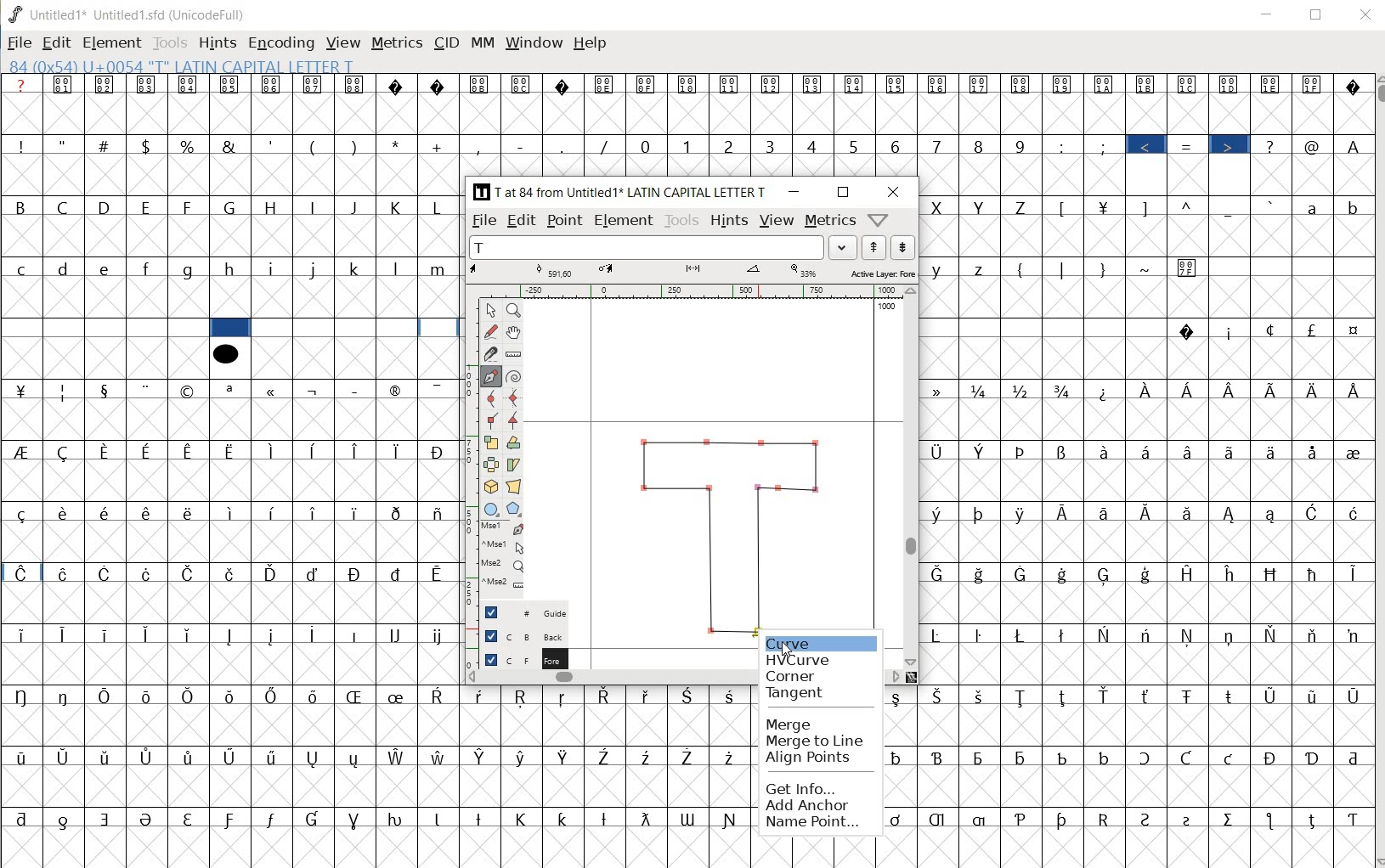  What do you see at coordinates (1021, 817) in the screenshot?
I see `Symbol` at bounding box center [1021, 817].